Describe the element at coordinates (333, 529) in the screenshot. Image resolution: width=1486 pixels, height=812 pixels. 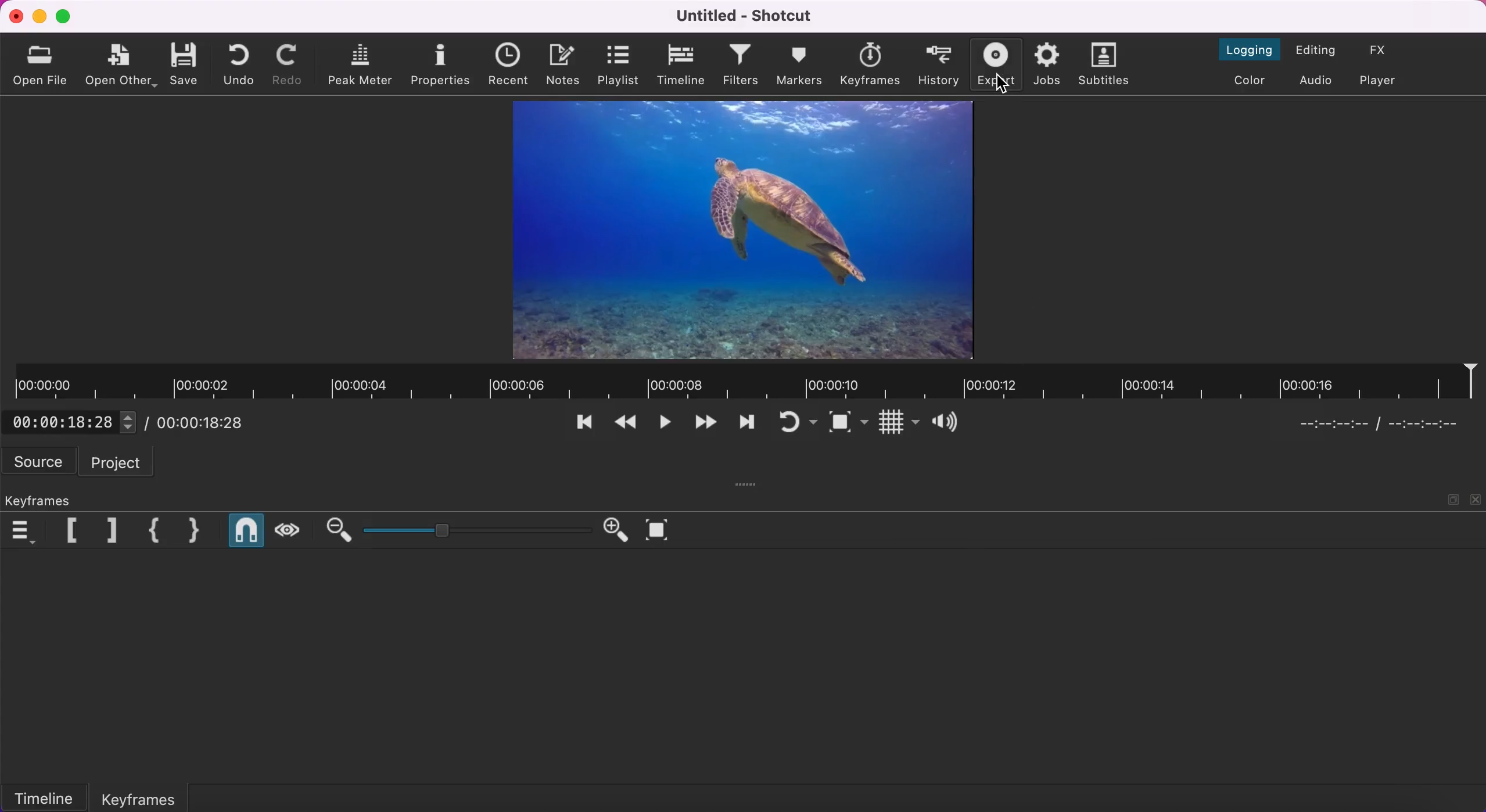
I see `zoom out` at that location.